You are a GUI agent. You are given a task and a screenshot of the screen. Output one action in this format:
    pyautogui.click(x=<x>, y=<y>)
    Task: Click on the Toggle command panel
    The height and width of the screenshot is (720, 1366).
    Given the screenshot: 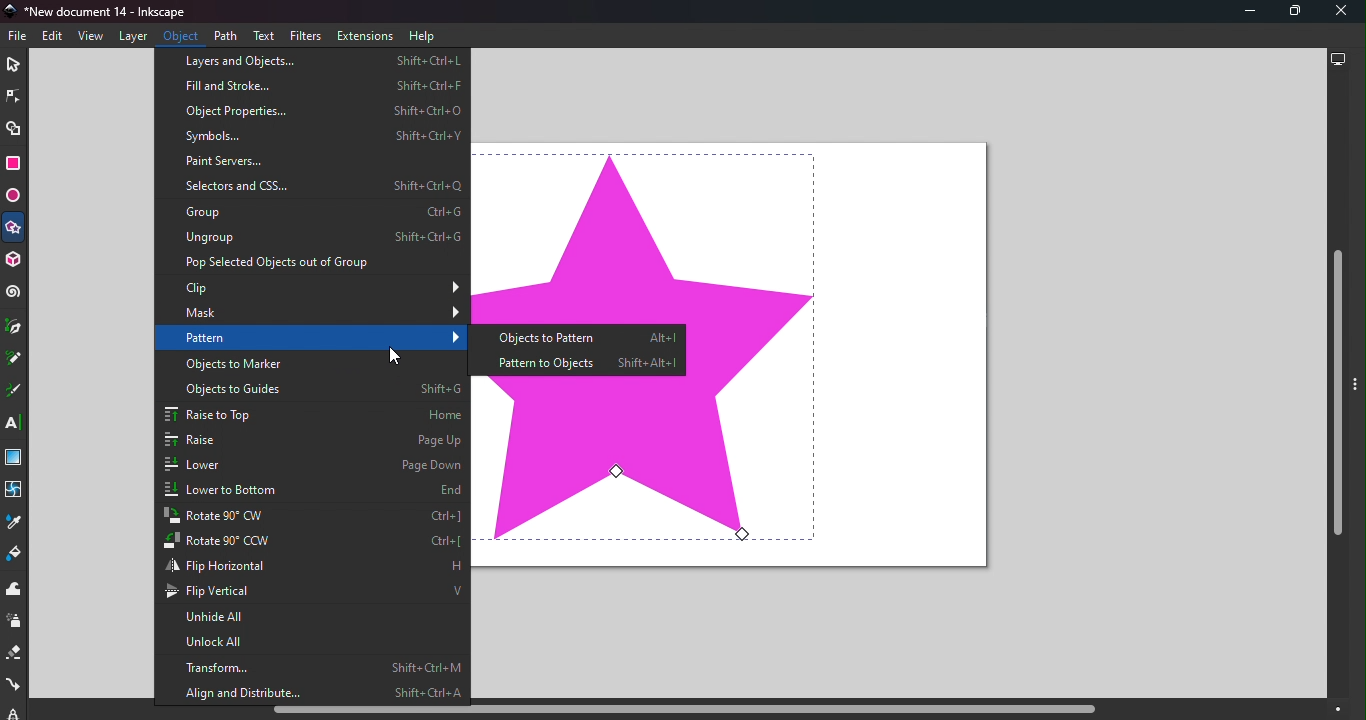 What is the action you would take?
    pyautogui.click(x=1358, y=395)
    